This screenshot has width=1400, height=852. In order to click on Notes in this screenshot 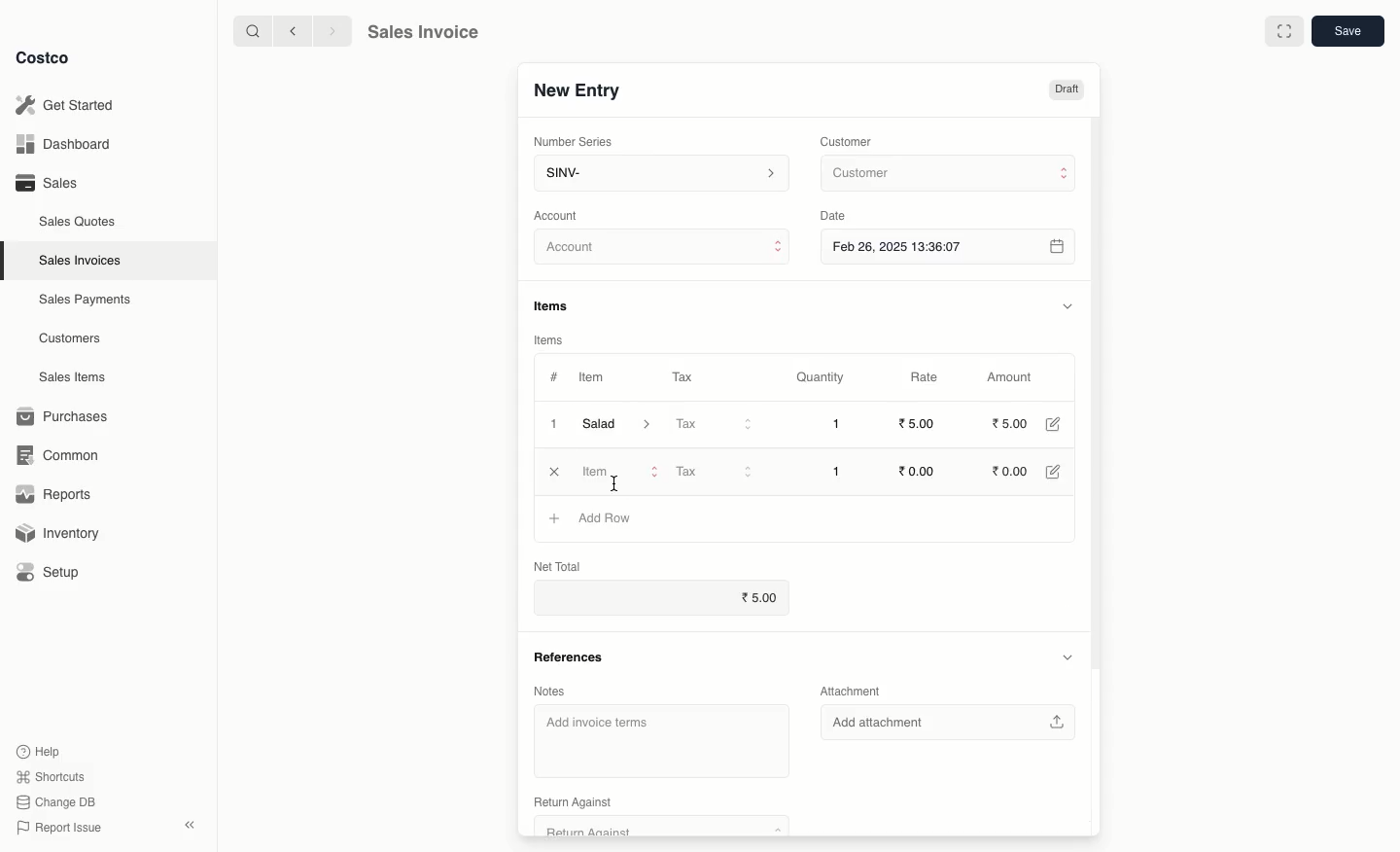, I will do `click(549, 691)`.